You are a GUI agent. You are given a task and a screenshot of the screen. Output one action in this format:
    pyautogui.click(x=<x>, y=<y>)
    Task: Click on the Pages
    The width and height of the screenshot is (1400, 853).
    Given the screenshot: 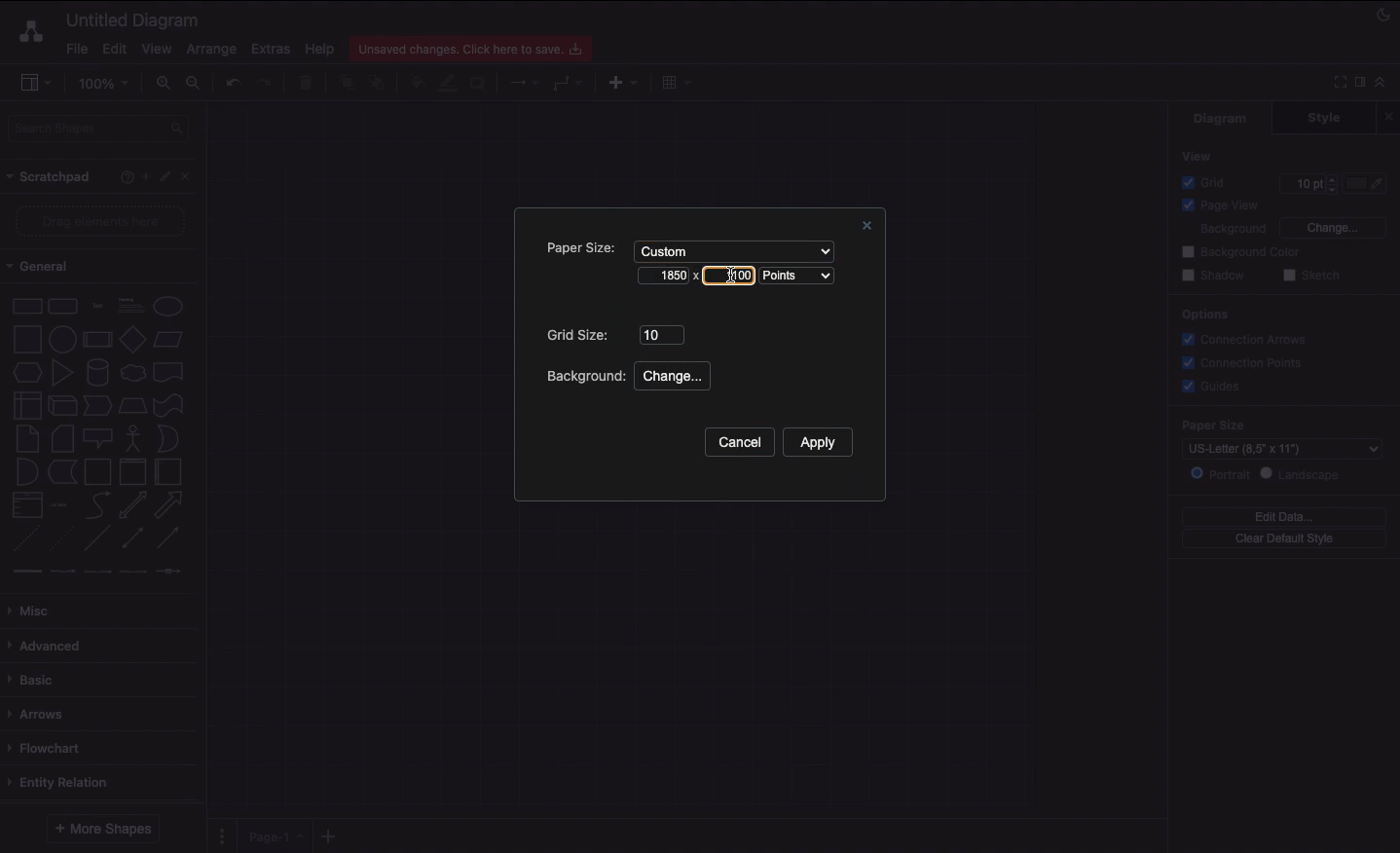 What is the action you would take?
    pyautogui.click(x=218, y=836)
    